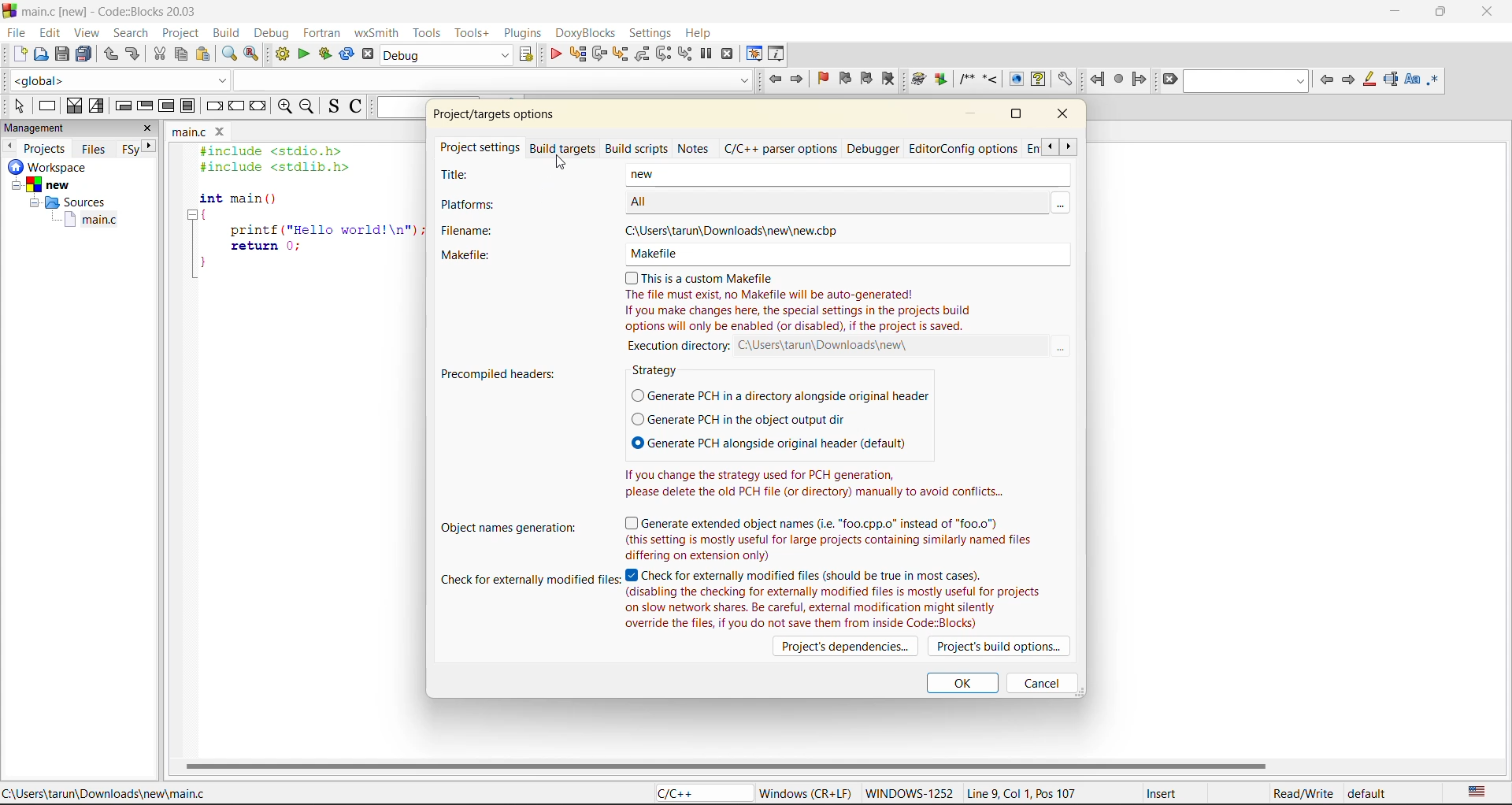  Describe the element at coordinates (941, 80) in the screenshot. I see `Extract documentation for the current project` at that location.